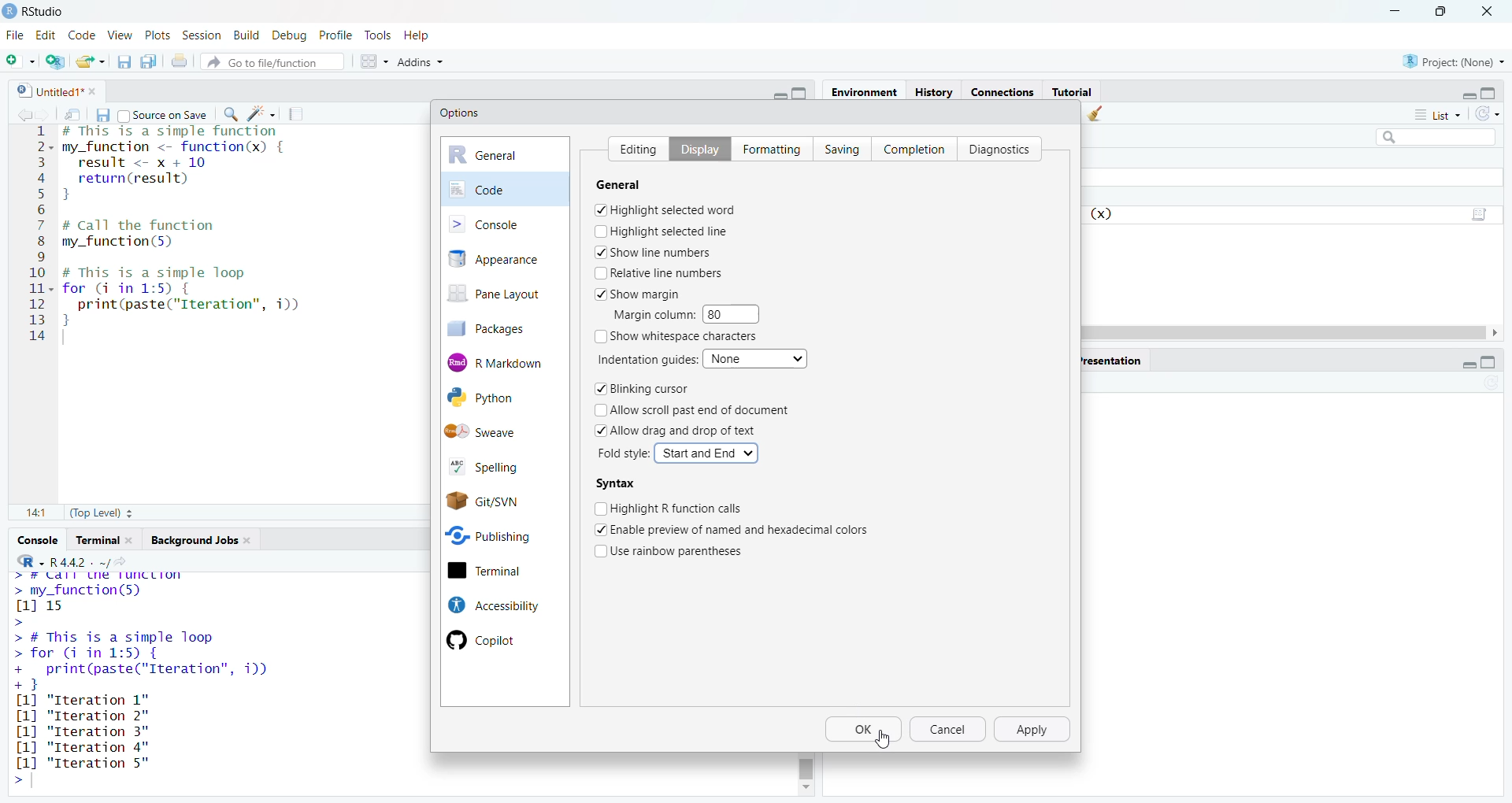  I want to click on untitled, so click(42, 90).